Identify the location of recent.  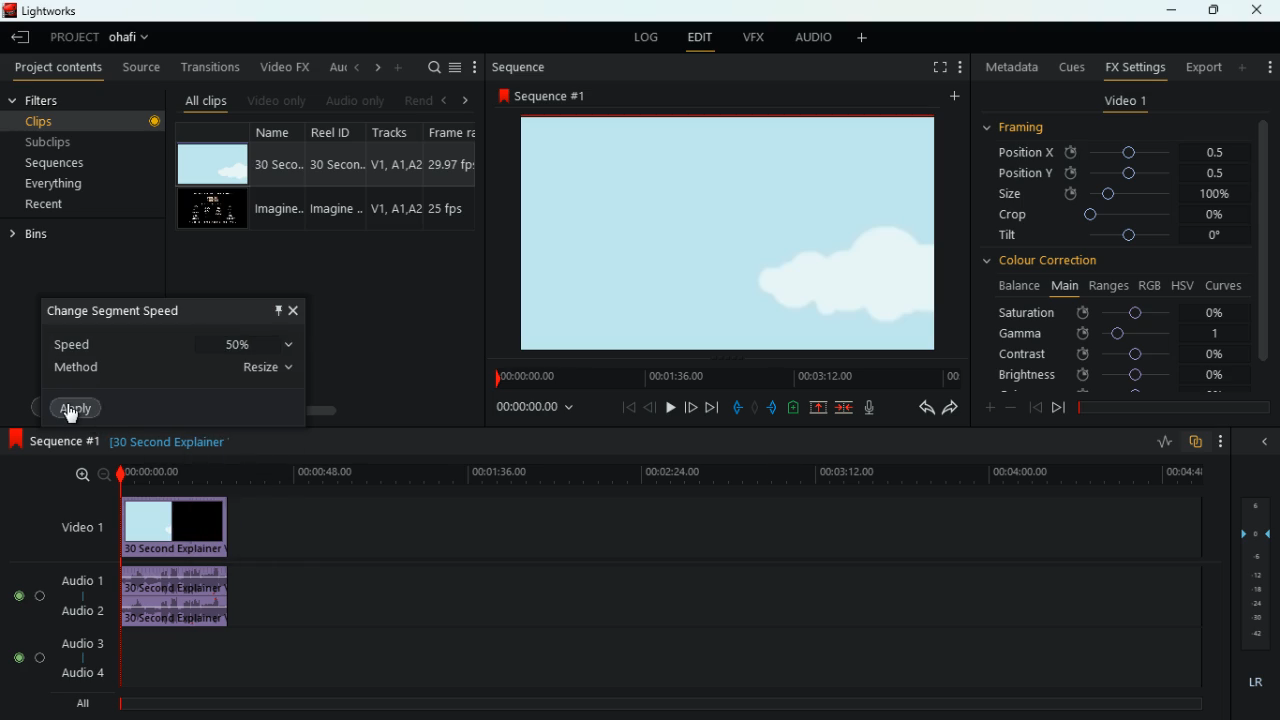
(66, 206).